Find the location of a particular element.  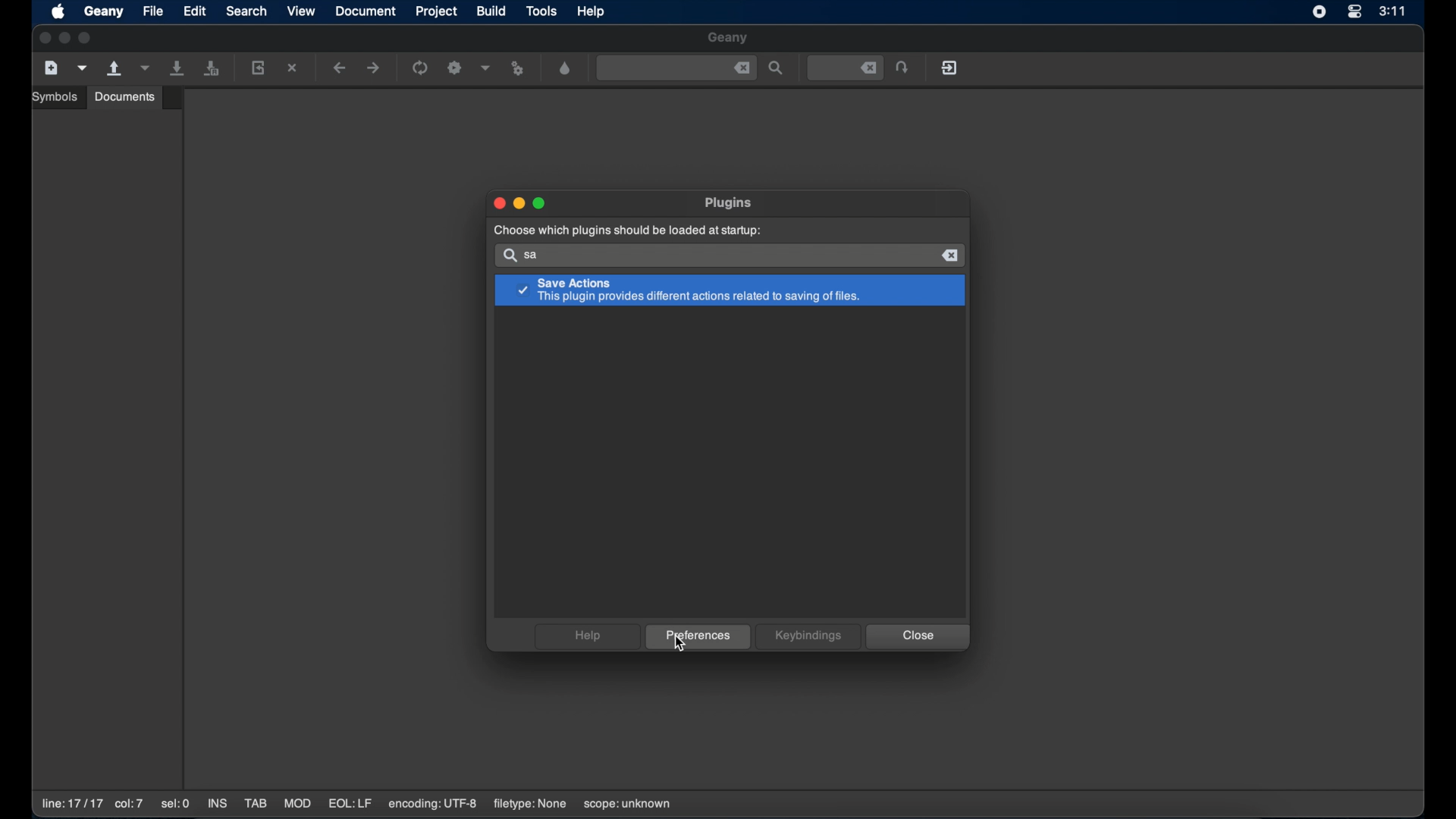

plugins is located at coordinates (730, 202).